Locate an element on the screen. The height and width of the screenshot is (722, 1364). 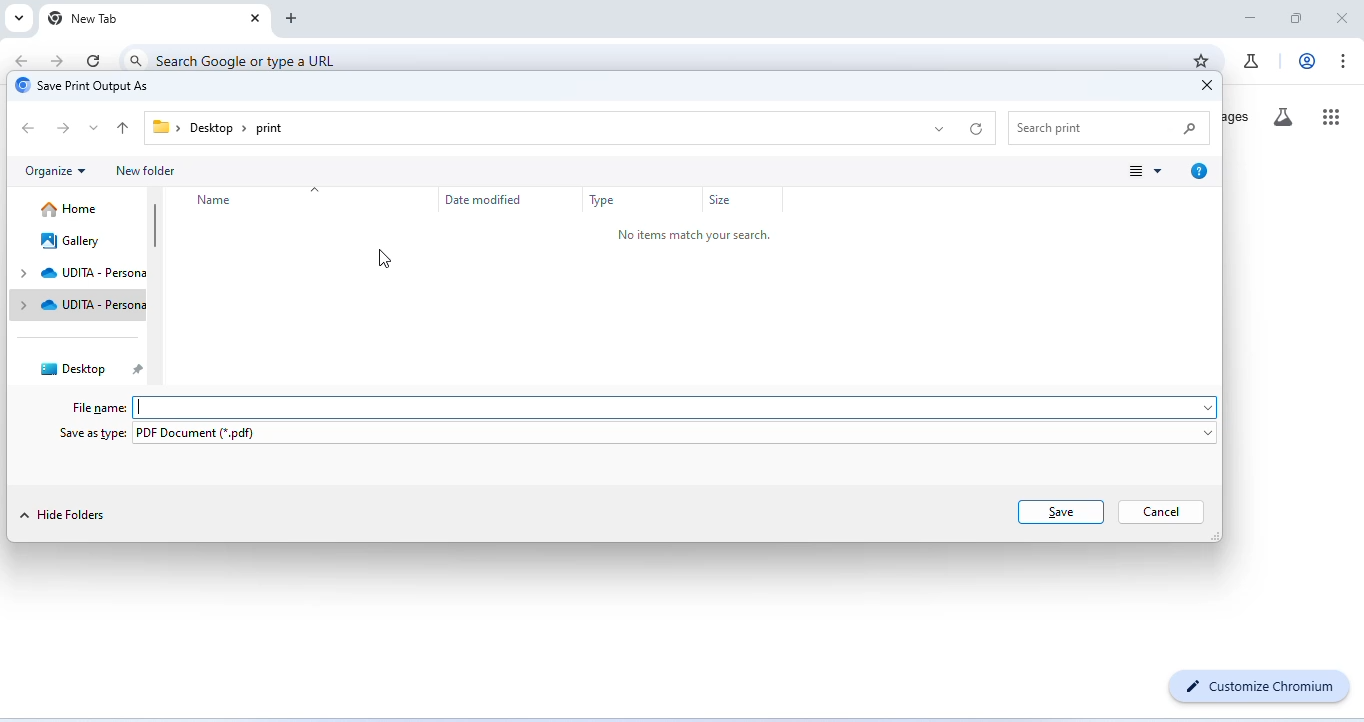
cancel is located at coordinates (1160, 513).